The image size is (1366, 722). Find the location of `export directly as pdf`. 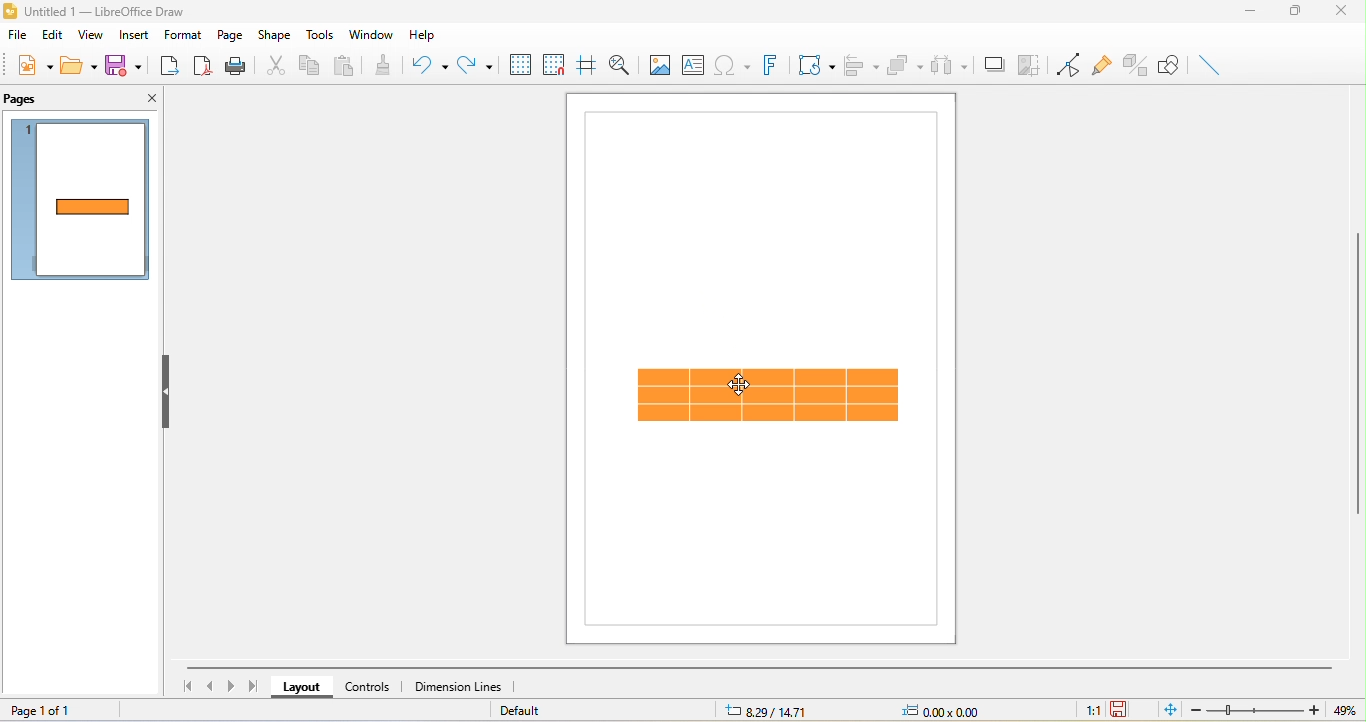

export directly as pdf is located at coordinates (204, 64).